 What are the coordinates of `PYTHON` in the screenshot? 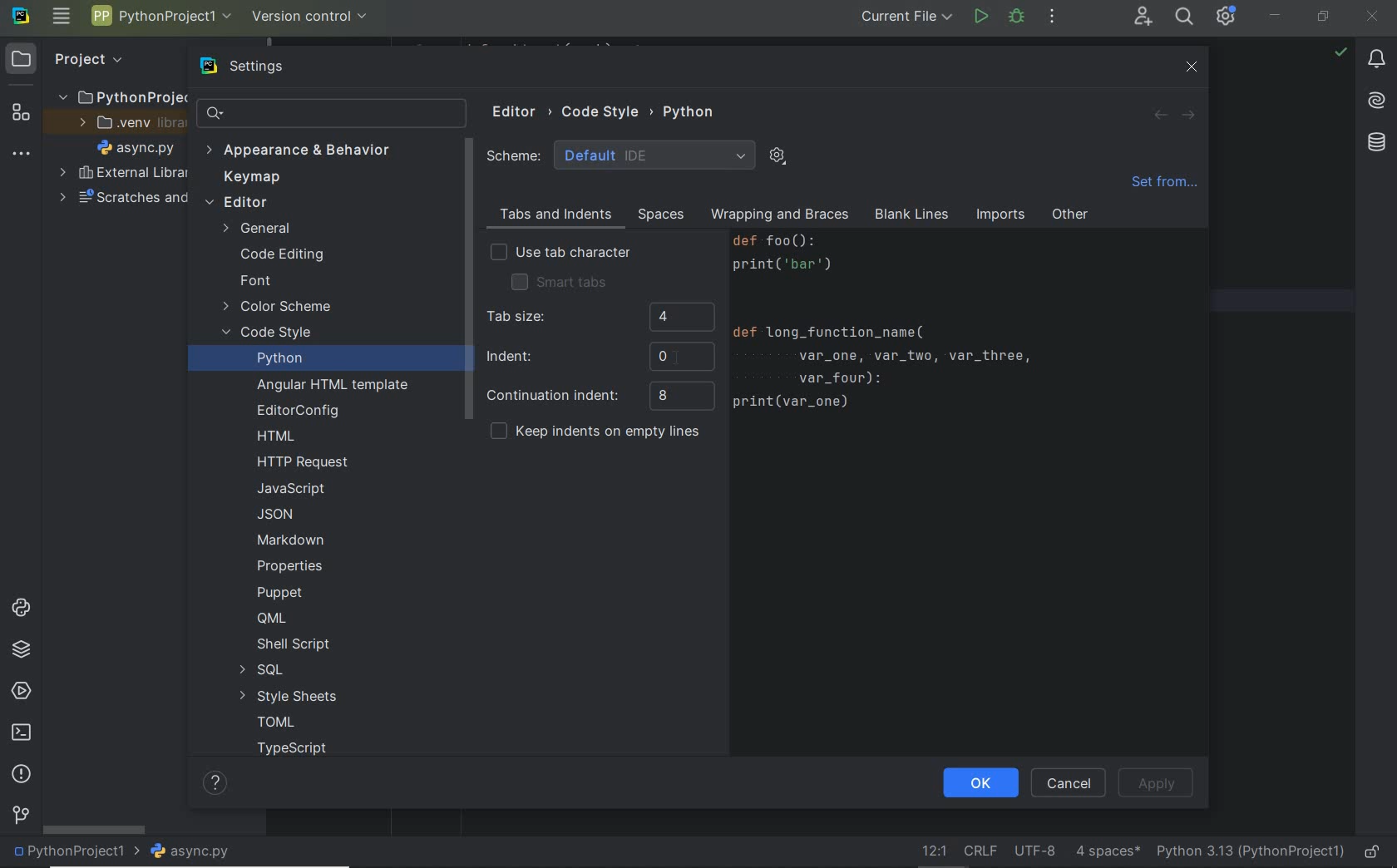 It's located at (691, 111).